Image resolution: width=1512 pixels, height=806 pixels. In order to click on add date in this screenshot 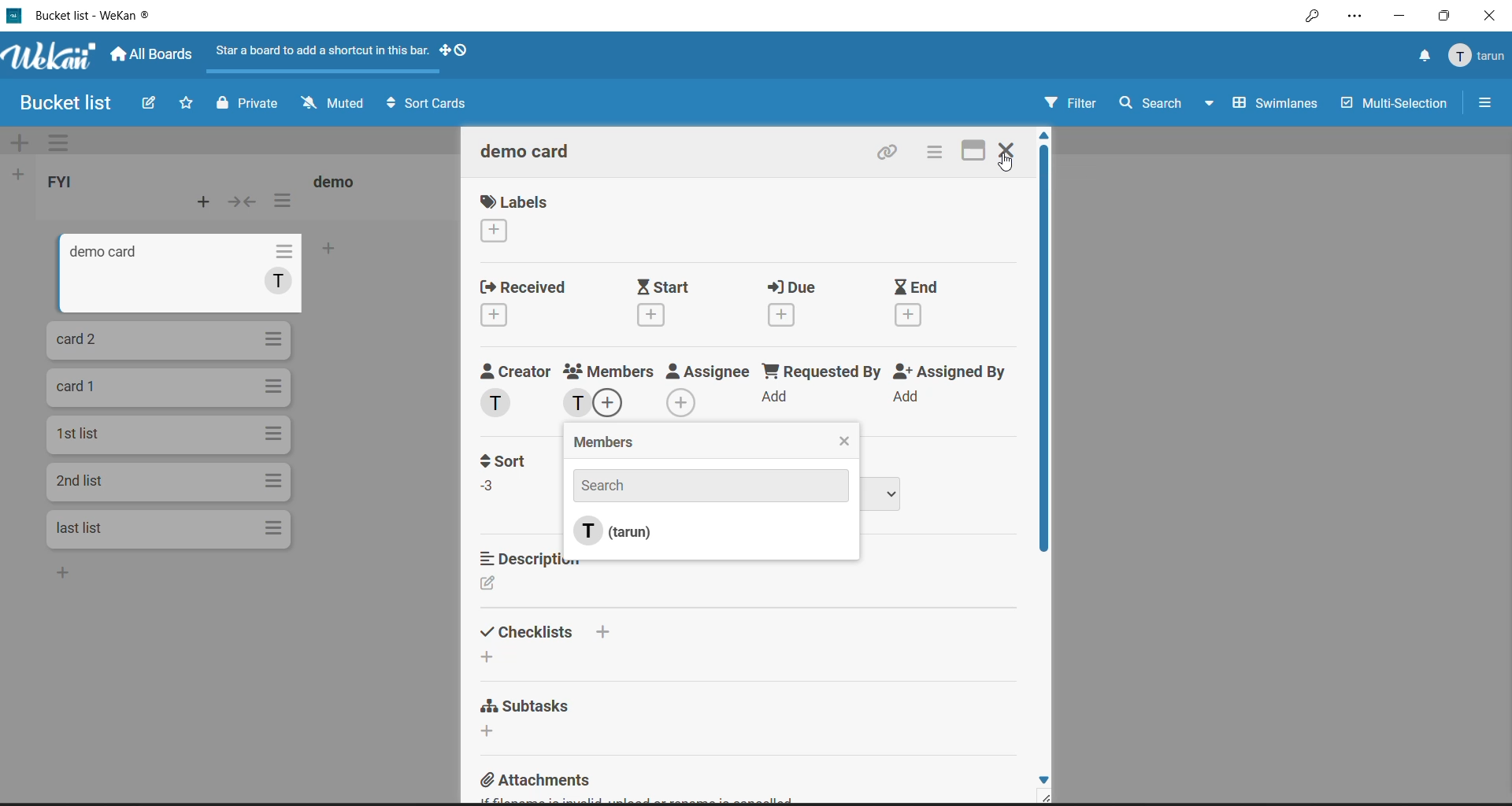, I will do `click(650, 316)`.